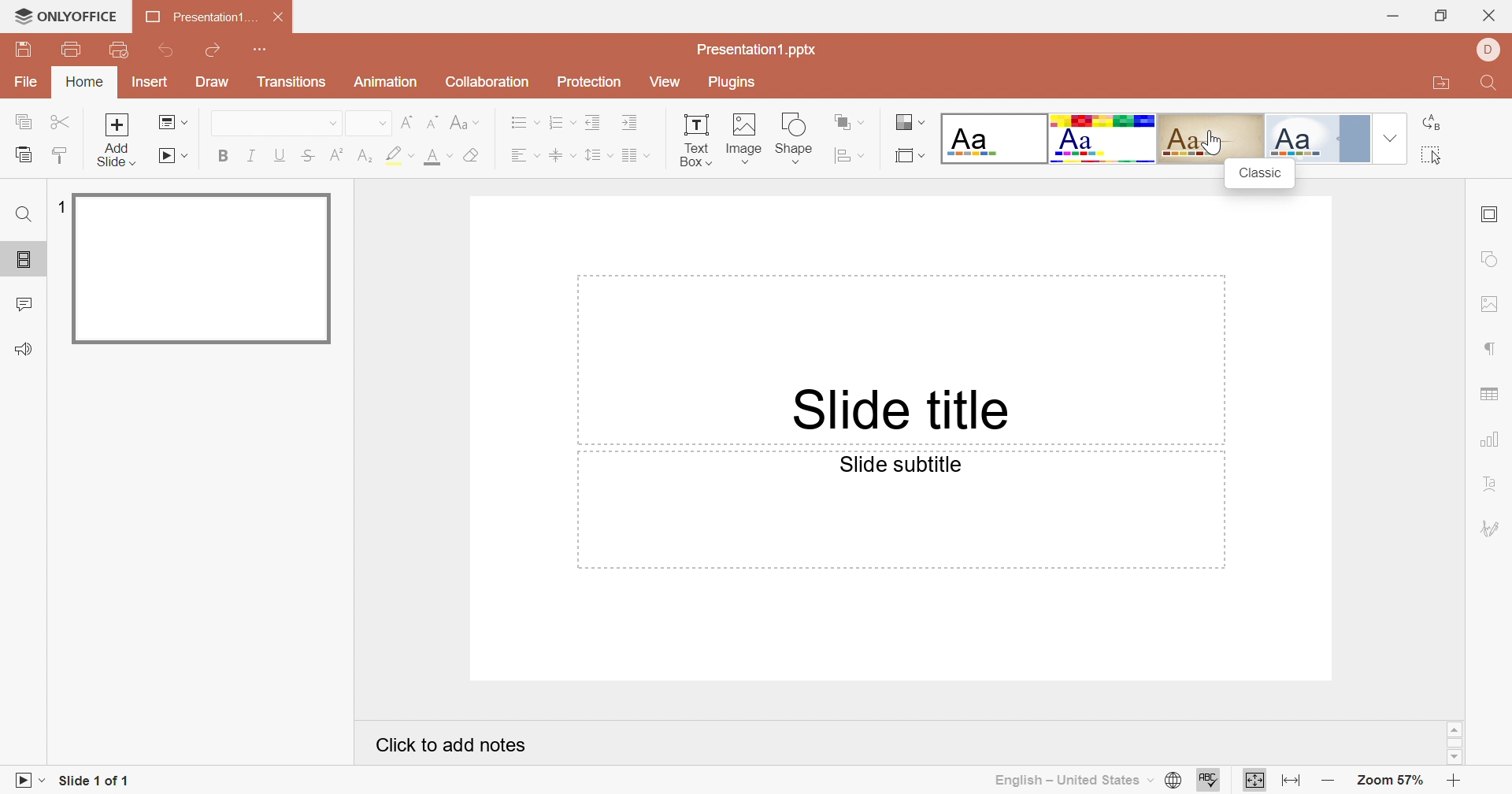 This screenshot has height=794, width=1512. I want to click on Drop Down, so click(184, 121).